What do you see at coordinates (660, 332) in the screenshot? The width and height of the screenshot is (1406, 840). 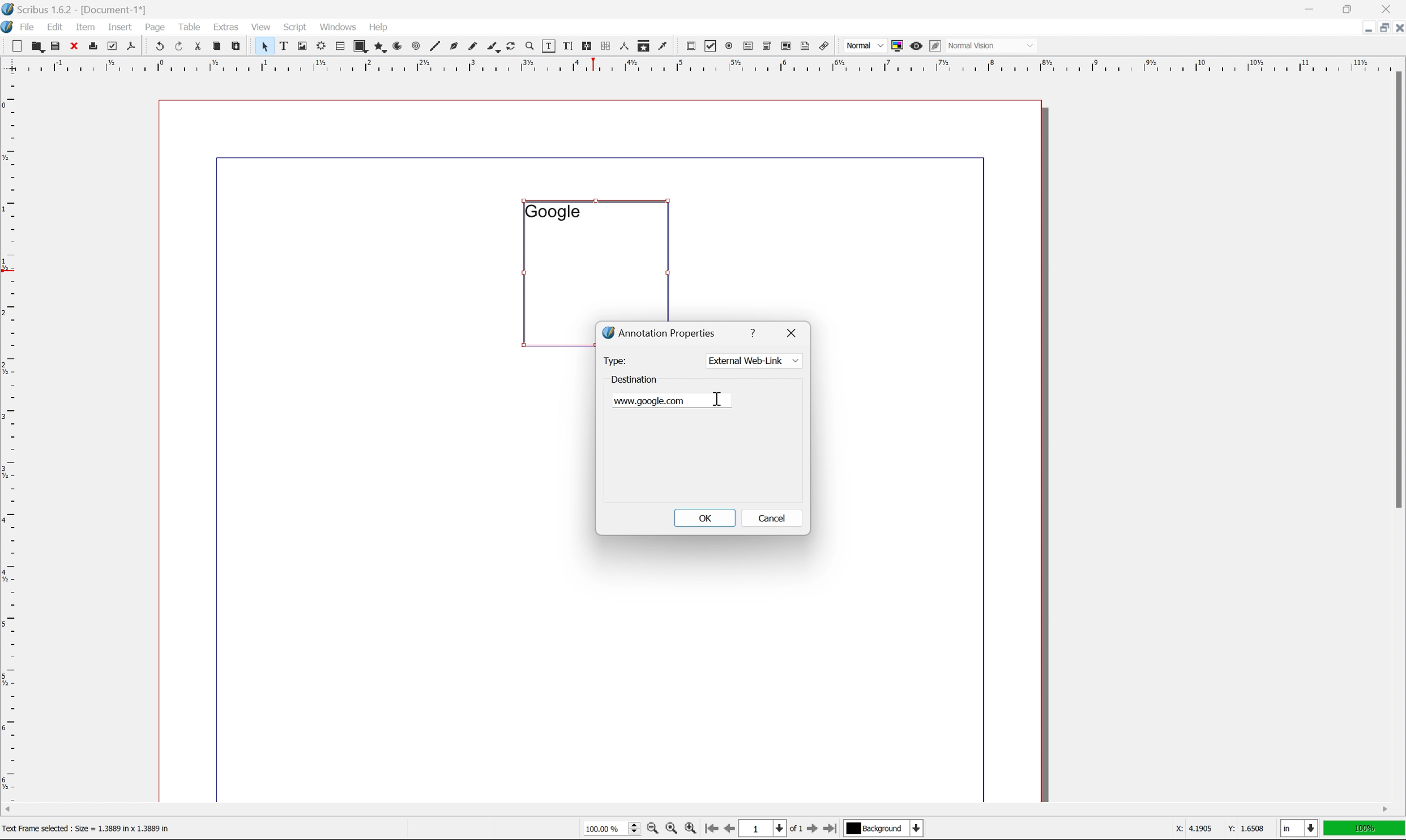 I see `annotation properties` at bounding box center [660, 332].